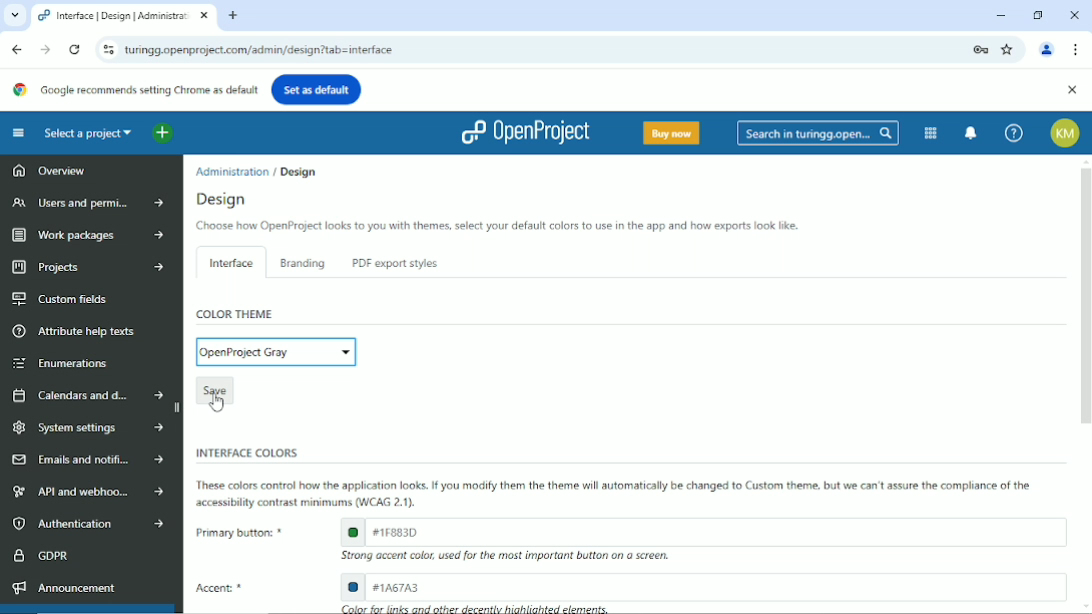 This screenshot has width=1092, height=614. What do you see at coordinates (1085, 296) in the screenshot?
I see `vertical scrollbar` at bounding box center [1085, 296].